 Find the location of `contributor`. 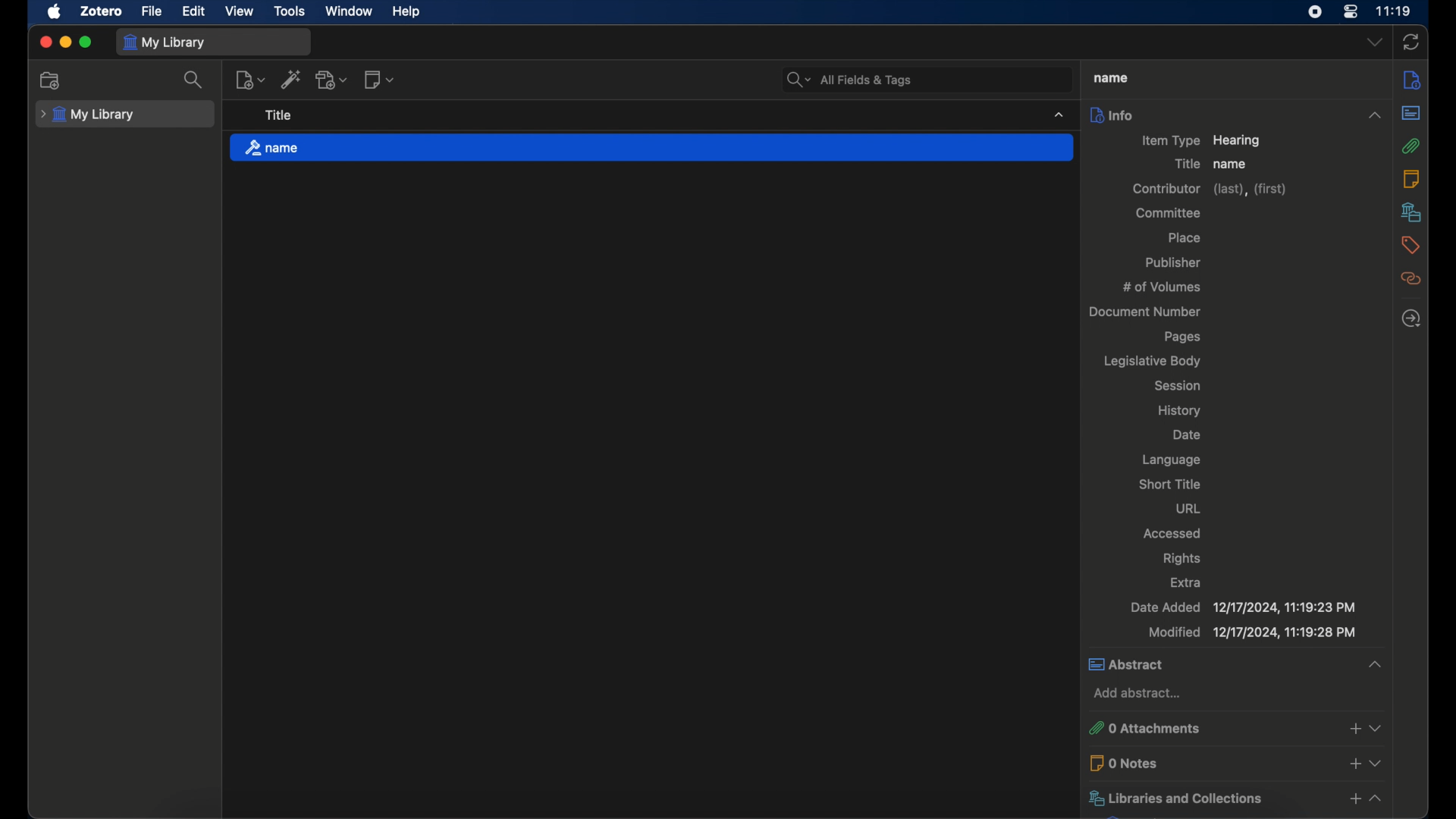

contributor is located at coordinates (1212, 190).